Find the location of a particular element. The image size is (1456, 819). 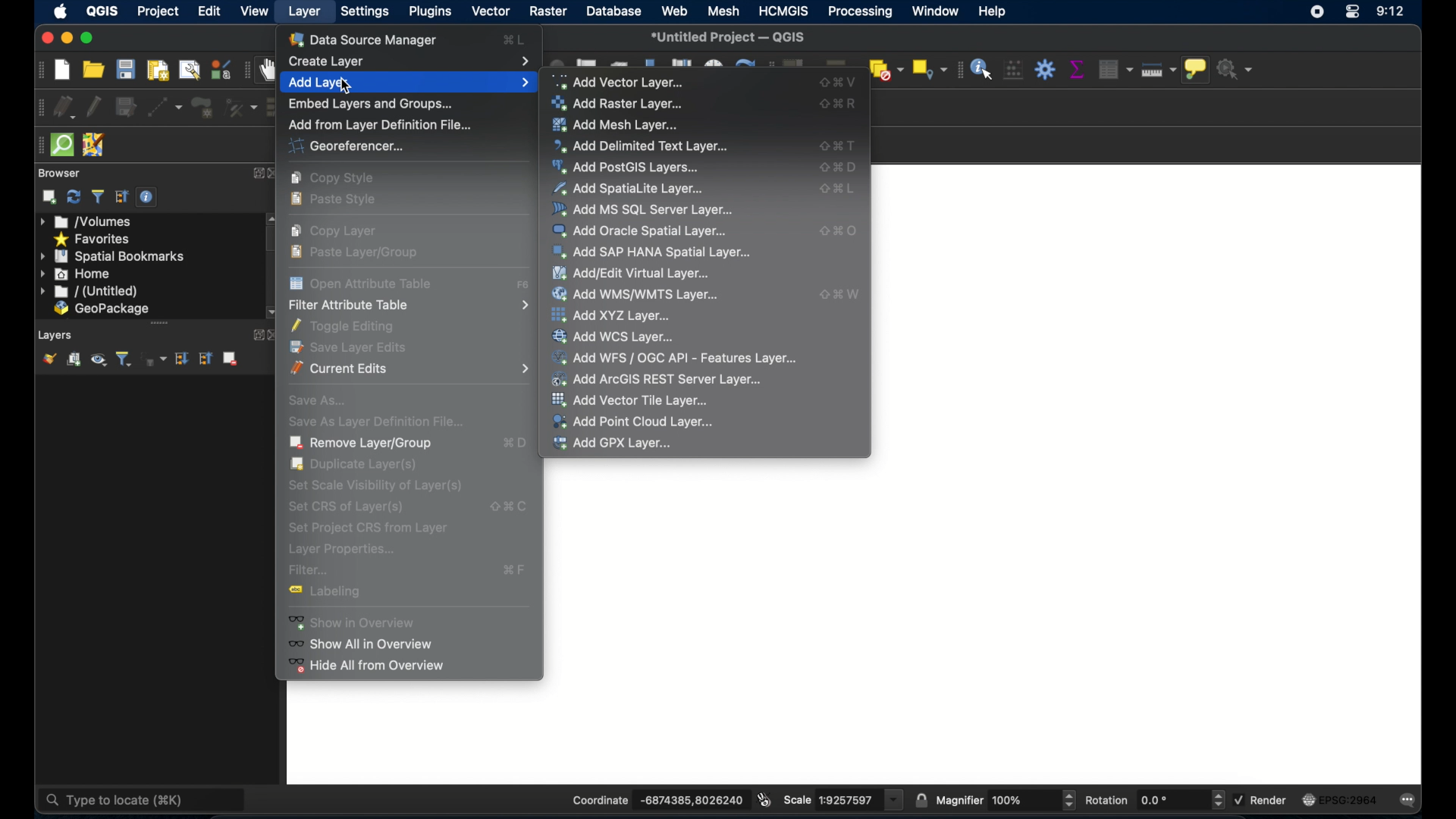

toolbox is located at coordinates (1045, 67).